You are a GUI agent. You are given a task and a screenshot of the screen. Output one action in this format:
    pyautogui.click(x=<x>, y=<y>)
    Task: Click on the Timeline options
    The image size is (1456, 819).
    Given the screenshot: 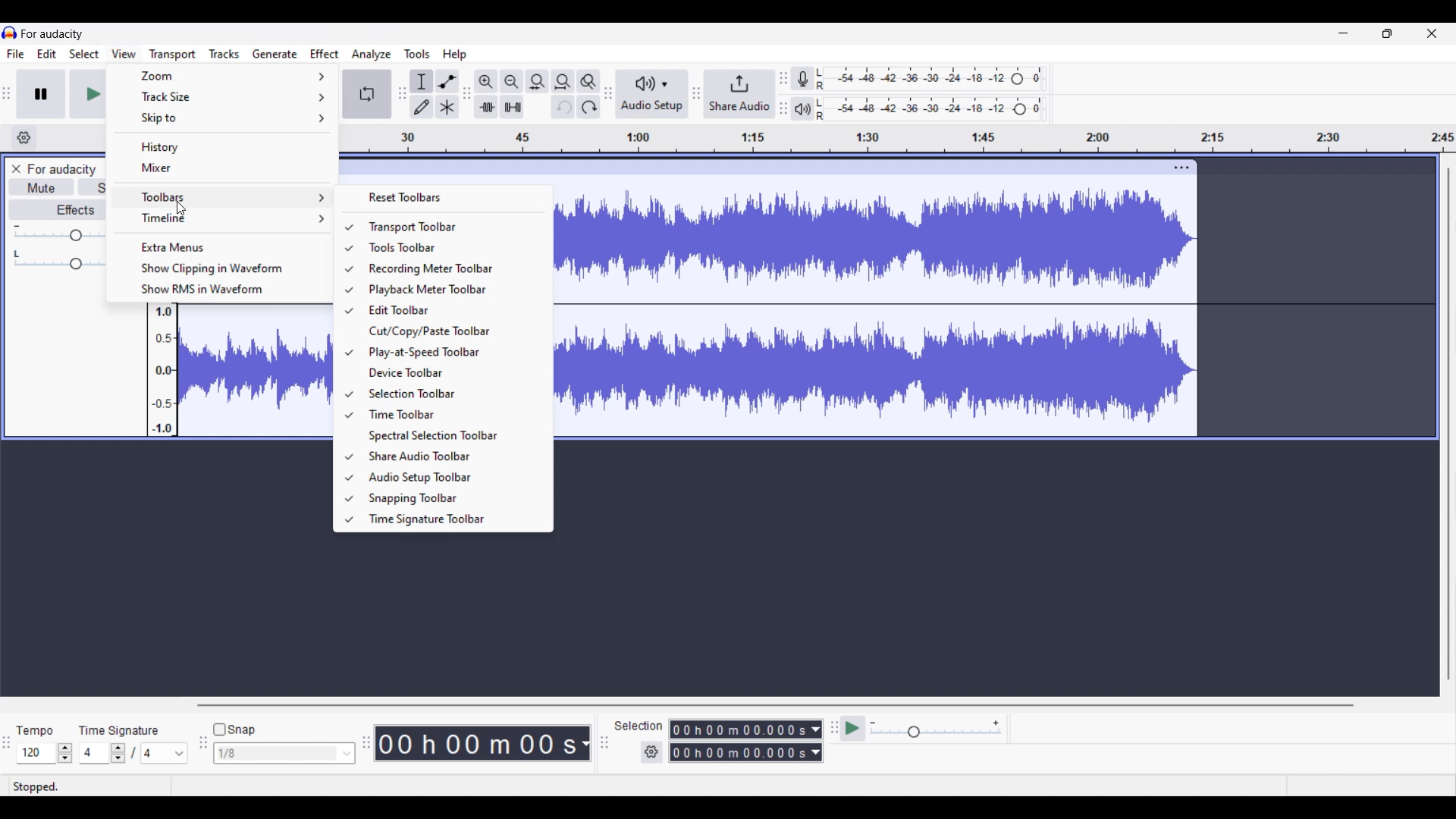 What is the action you would take?
    pyautogui.click(x=220, y=219)
    